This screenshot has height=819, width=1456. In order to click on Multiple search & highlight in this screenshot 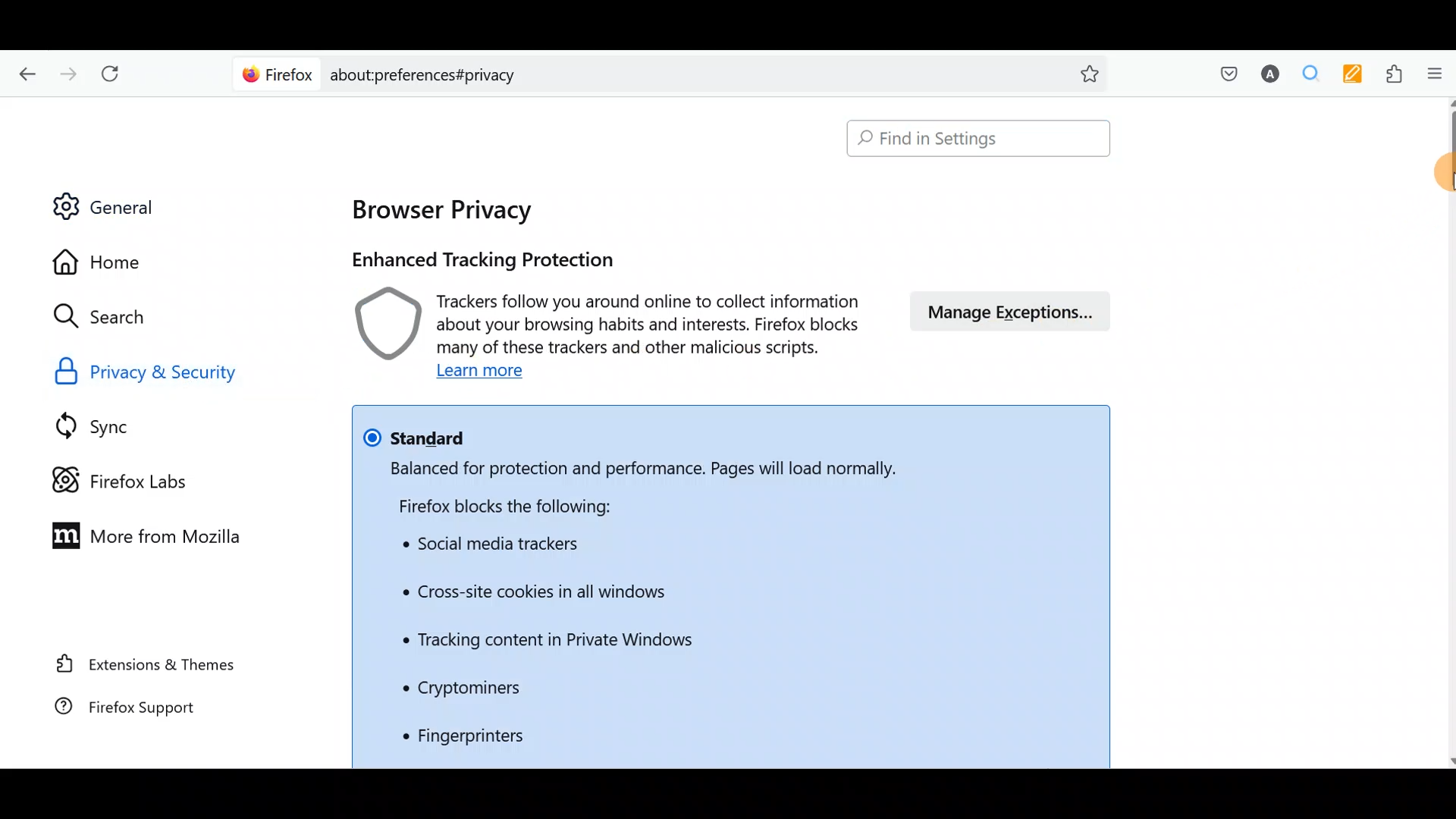, I will do `click(1305, 75)`.